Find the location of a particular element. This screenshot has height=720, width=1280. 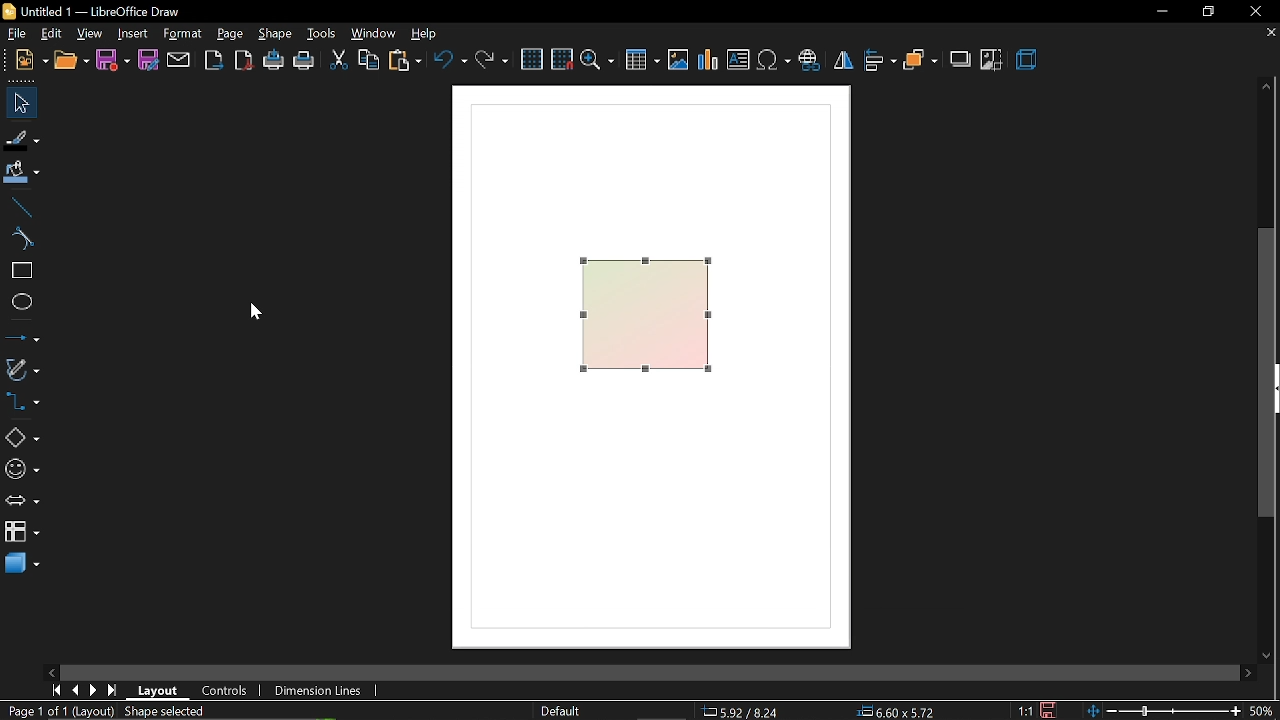

print directly is located at coordinates (273, 61).